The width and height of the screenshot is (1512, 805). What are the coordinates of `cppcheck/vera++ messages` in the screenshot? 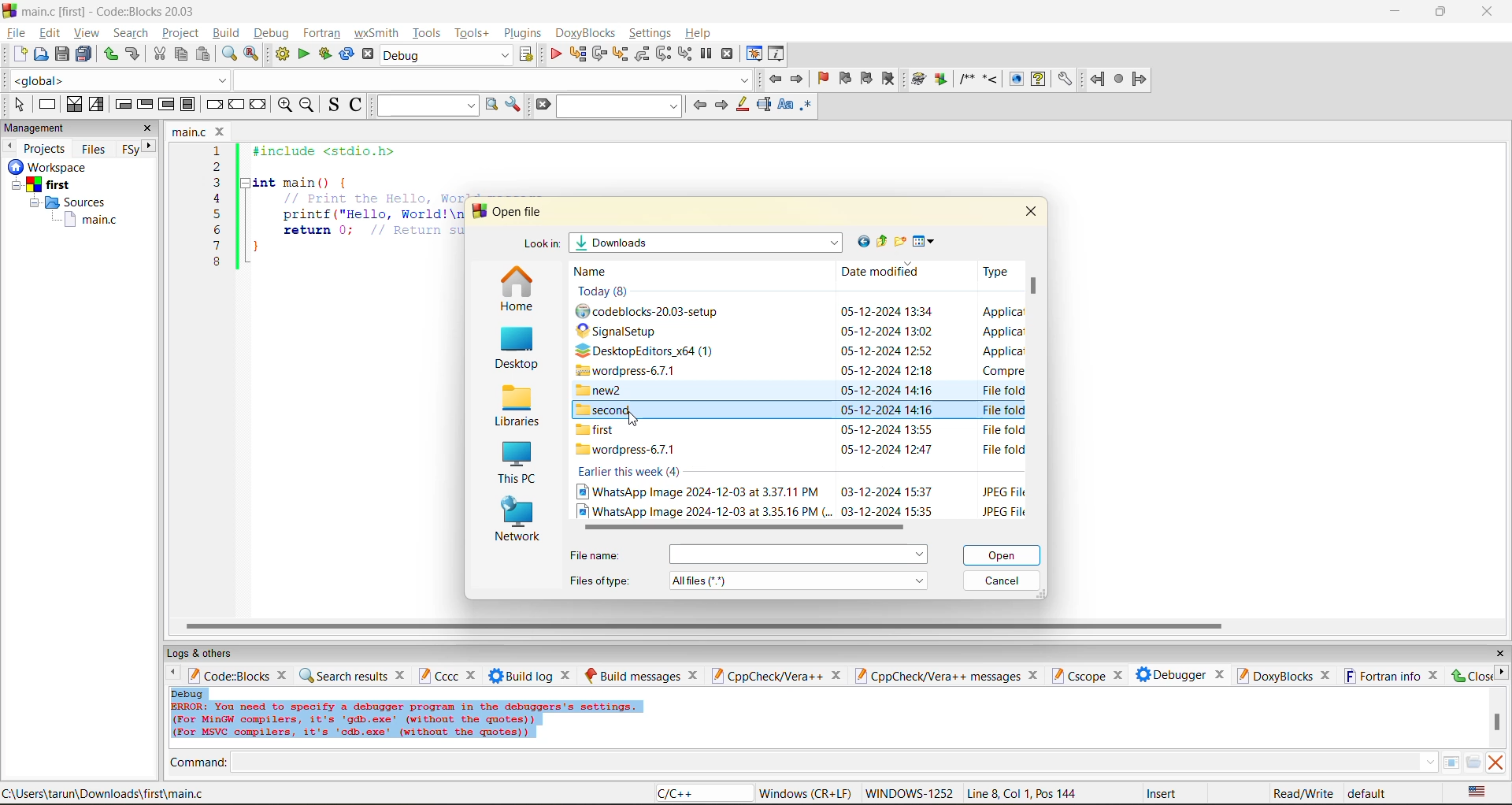 It's located at (936, 676).